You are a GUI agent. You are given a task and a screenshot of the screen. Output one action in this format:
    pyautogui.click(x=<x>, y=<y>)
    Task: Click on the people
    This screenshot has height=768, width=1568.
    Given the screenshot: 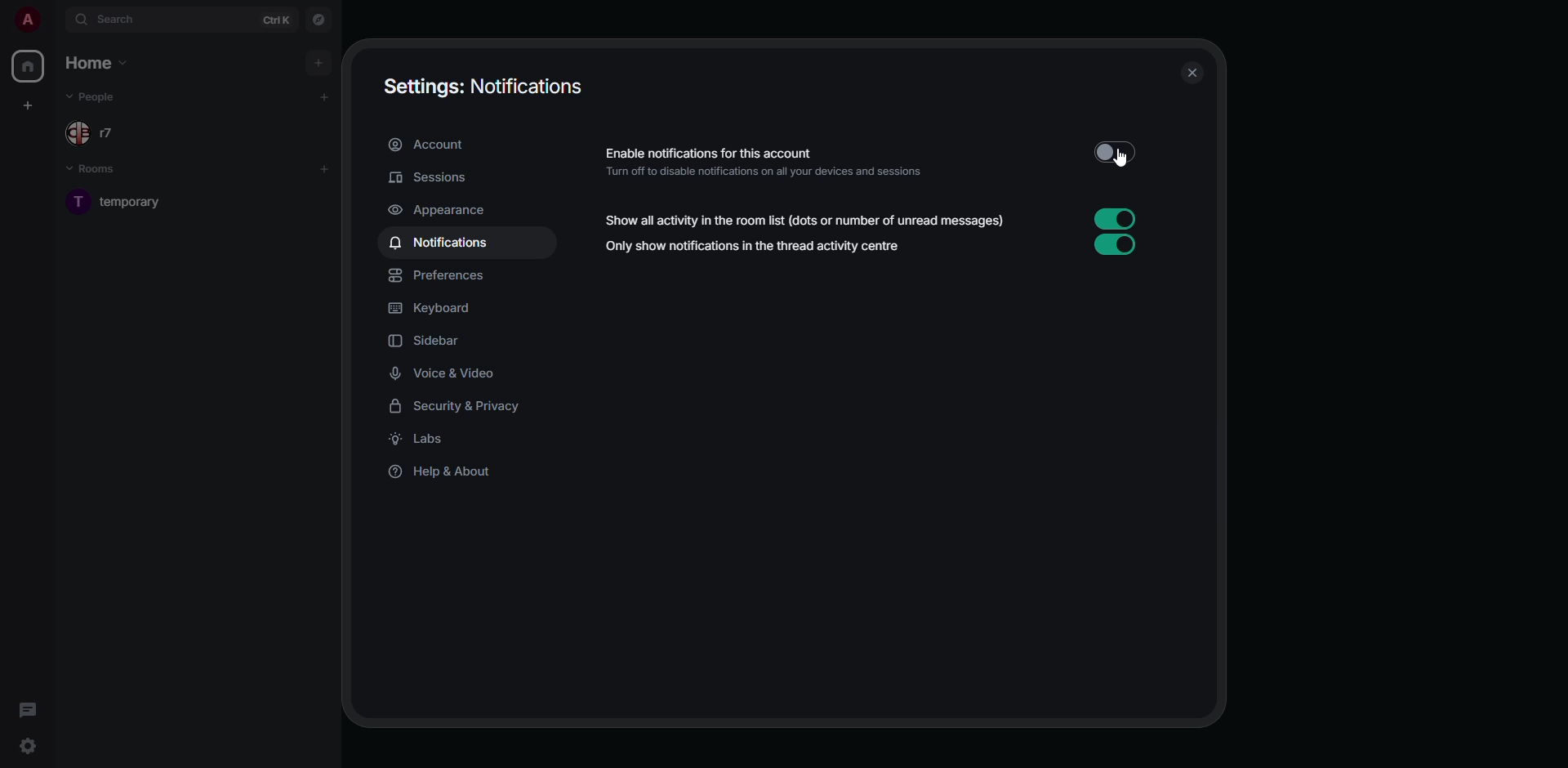 What is the action you would take?
    pyautogui.click(x=95, y=96)
    